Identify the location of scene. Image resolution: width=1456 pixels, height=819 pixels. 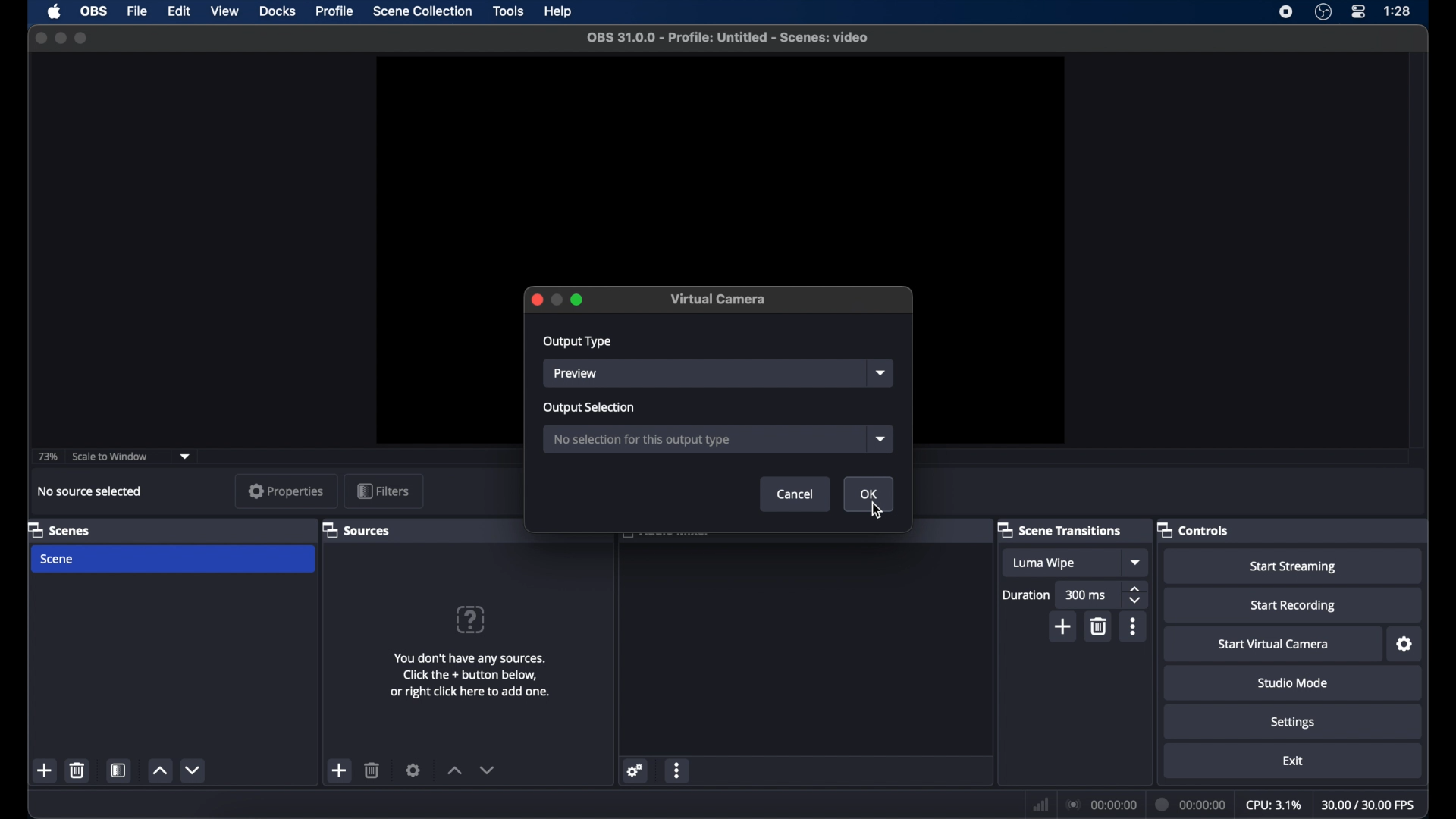
(173, 560).